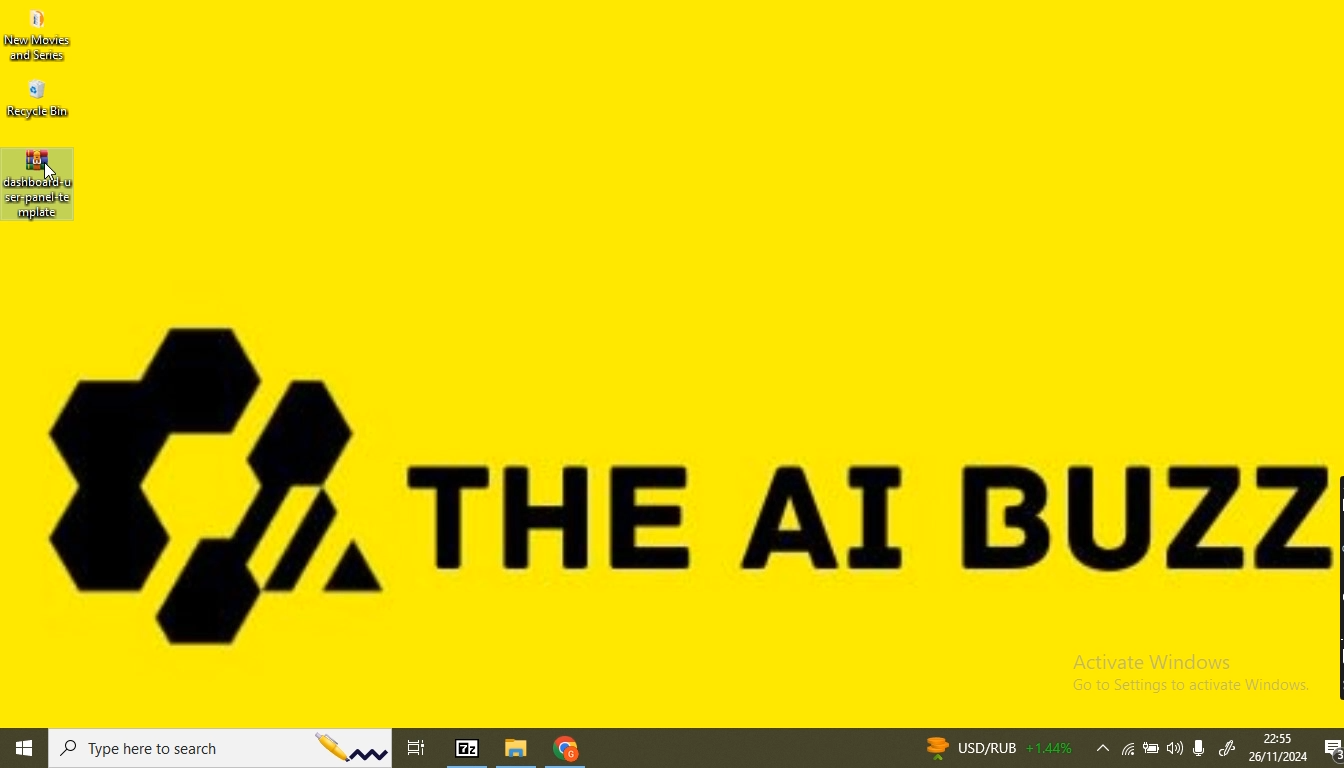  What do you see at coordinates (1330, 750) in the screenshot?
I see `notifications` at bounding box center [1330, 750].